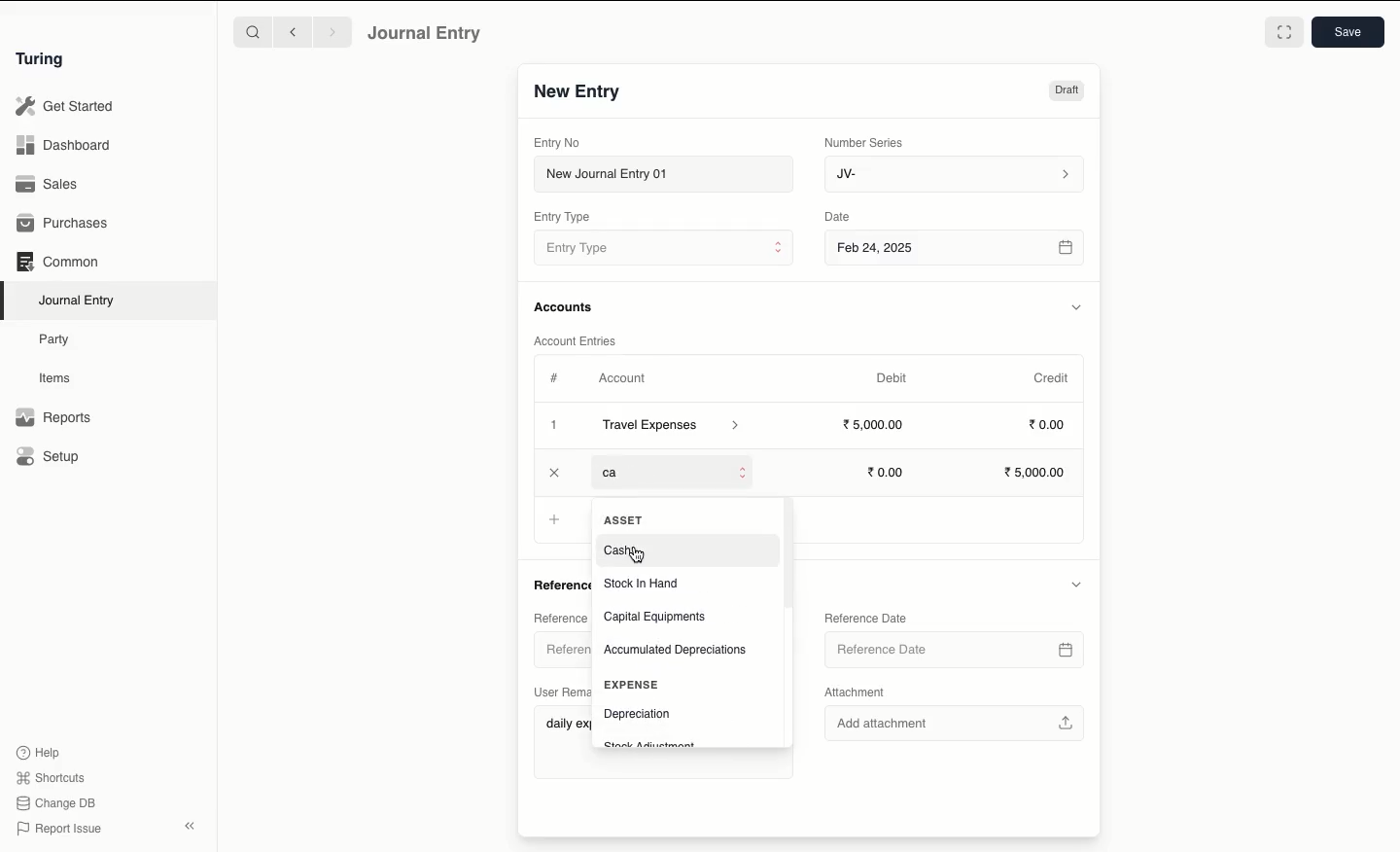 This screenshot has height=852, width=1400. Describe the element at coordinates (623, 470) in the screenshot. I see `Ca` at that location.